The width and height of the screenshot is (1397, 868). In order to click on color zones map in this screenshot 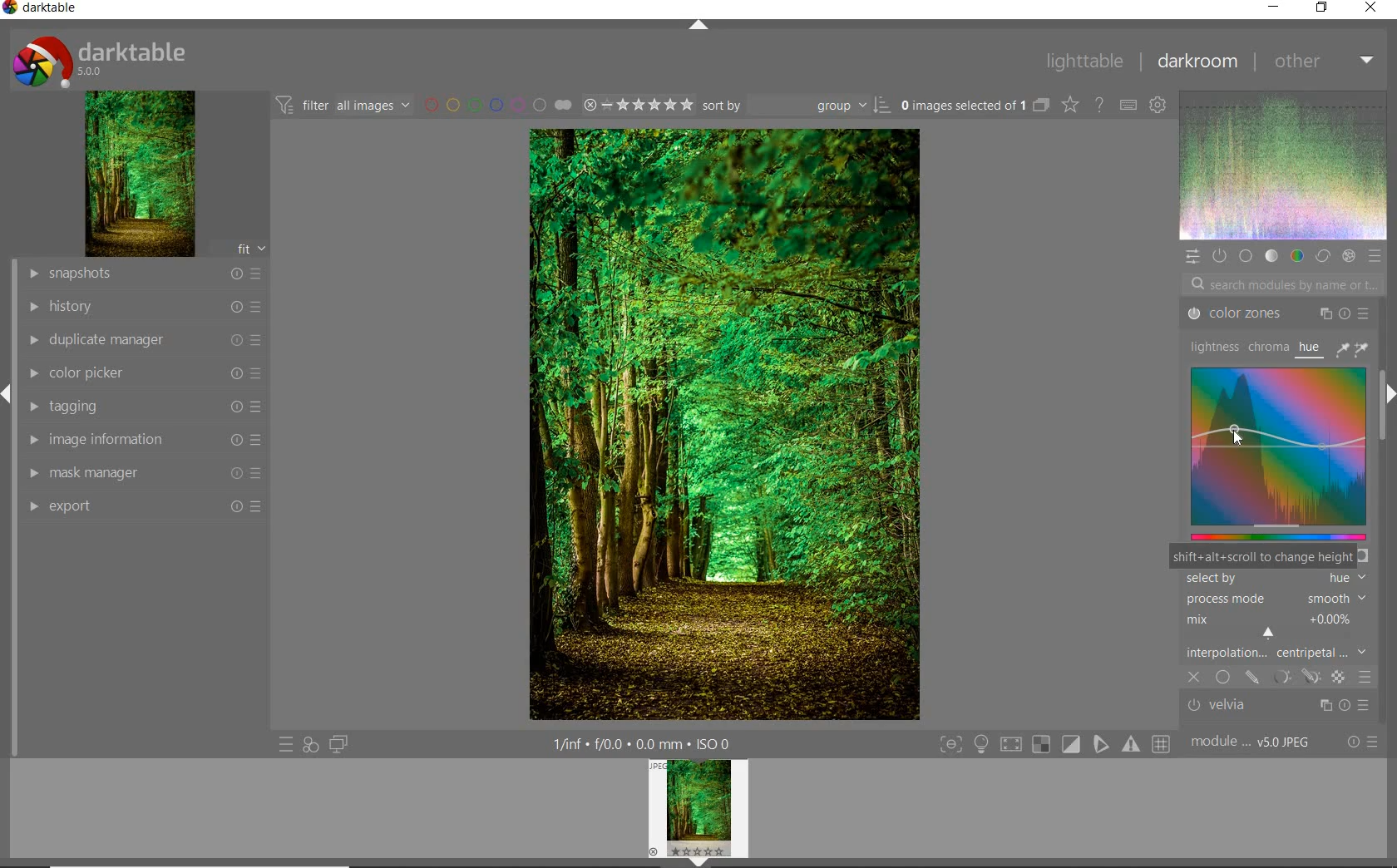, I will do `click(1278, 452)`.